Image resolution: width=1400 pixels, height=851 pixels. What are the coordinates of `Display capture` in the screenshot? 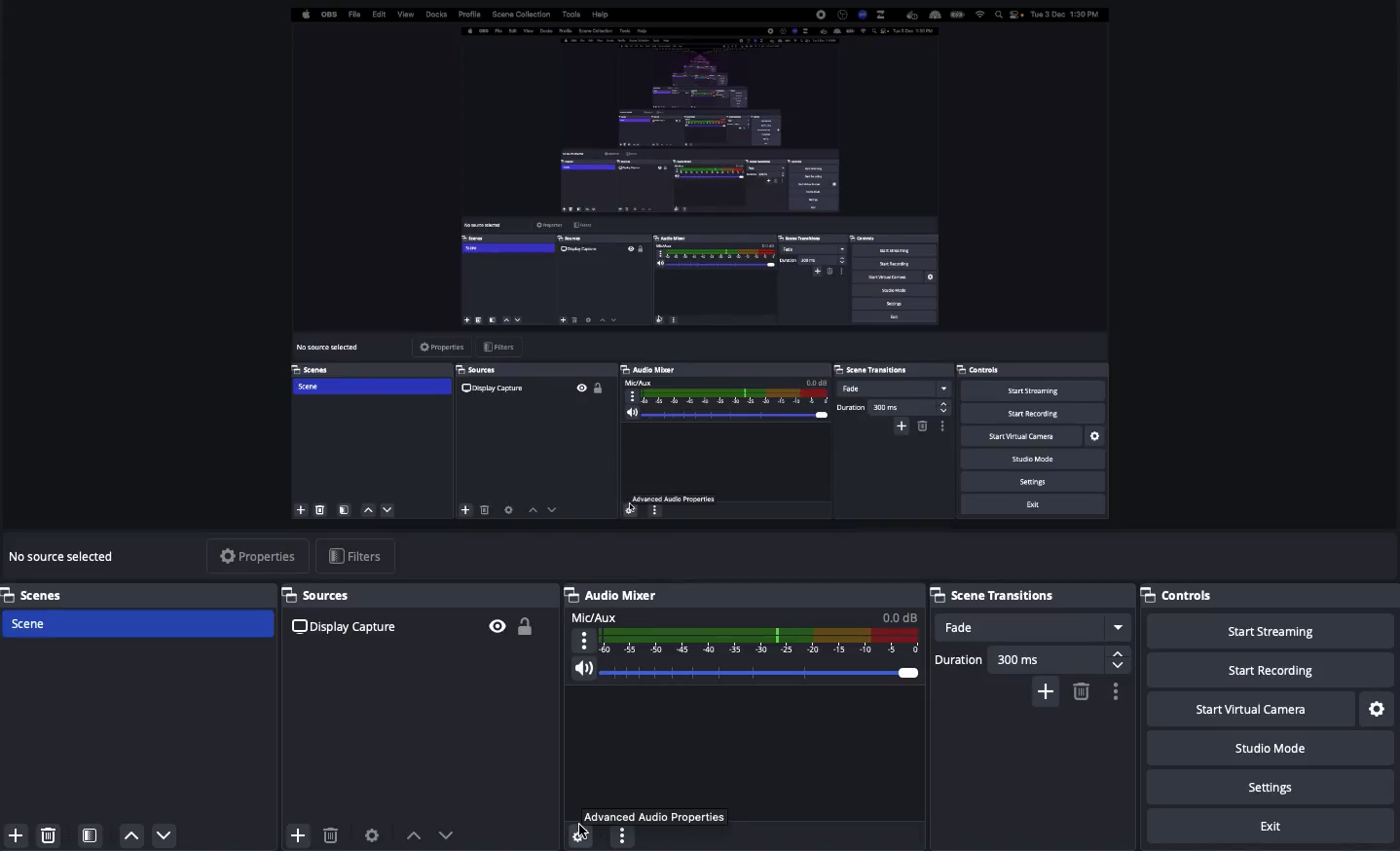 It's located at (357, 629).